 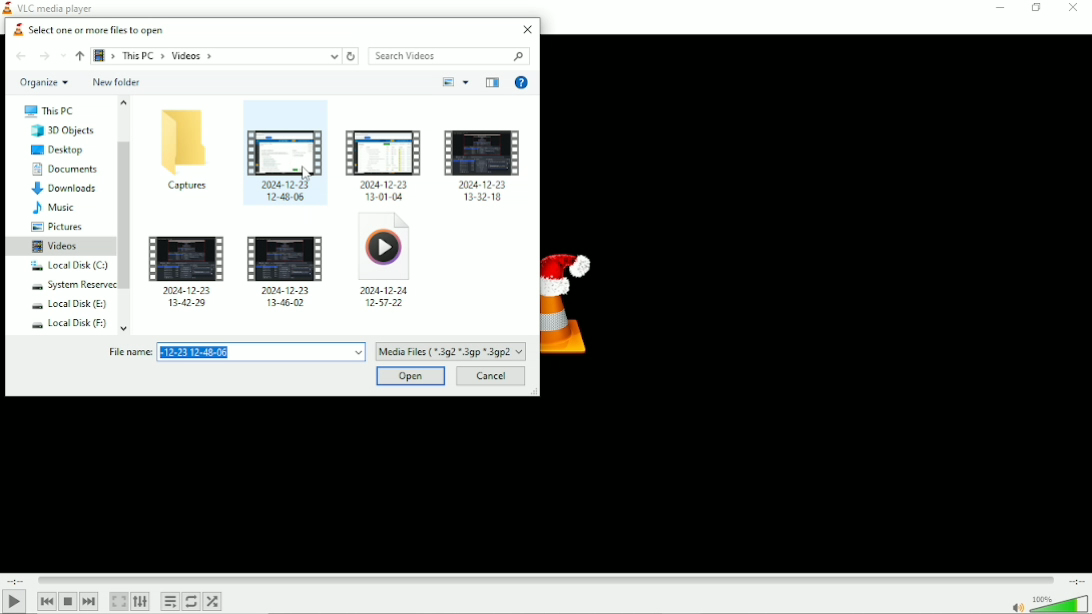 What do you see at coordinates (59, 131) in the screenshot?
I see `3D Objects` at bounding box center [59, 131].